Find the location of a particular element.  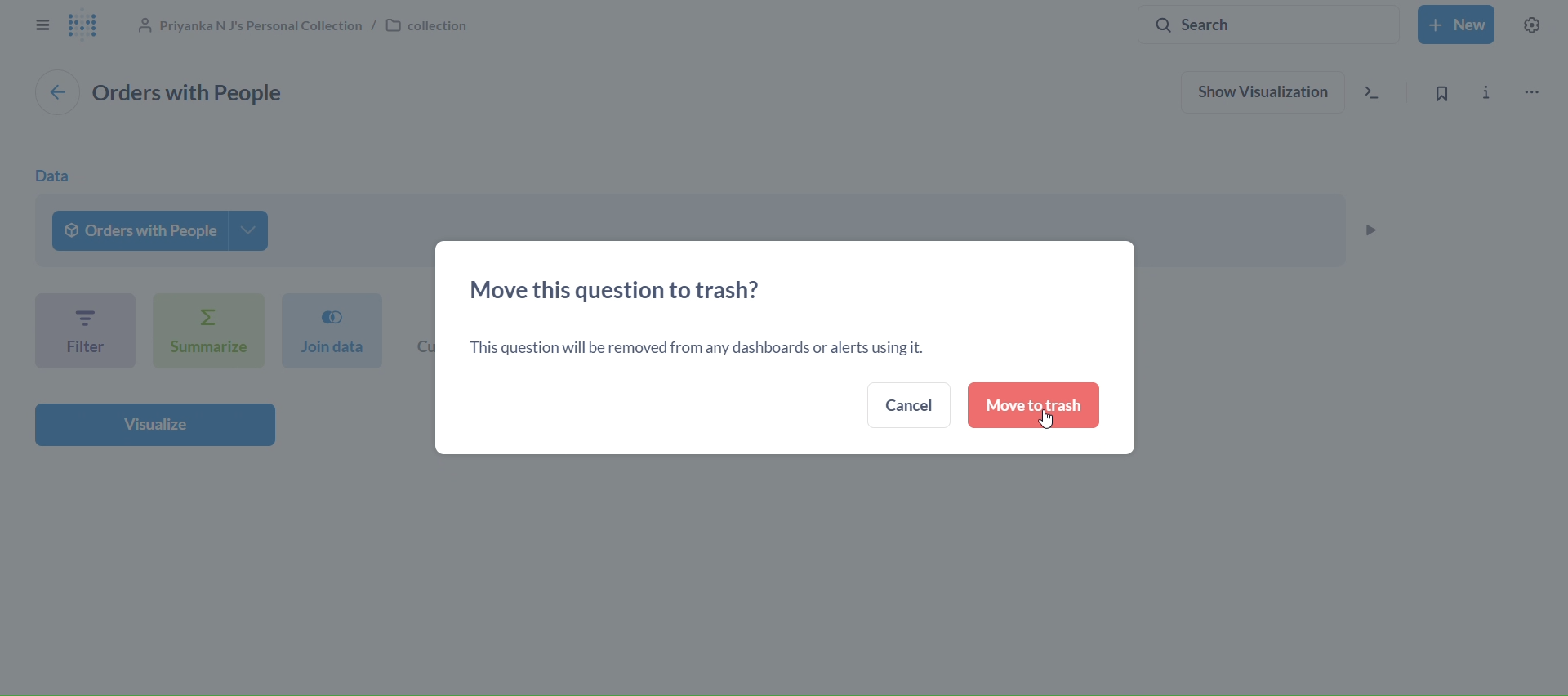

filter is located at coordinates (85, 330).